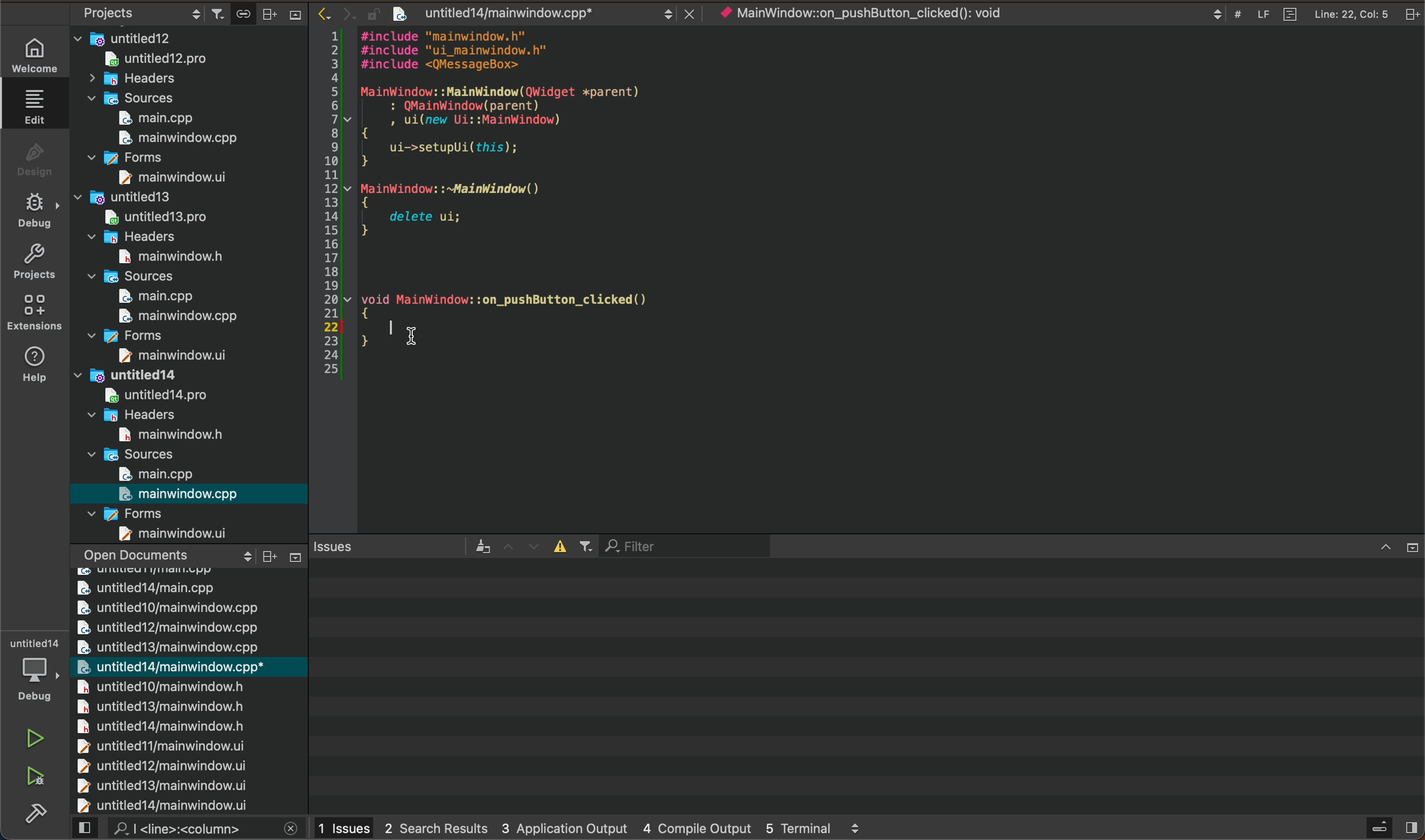 This screenshot has height=840, width=1425. Describe the element at coordinates (340, 14) in the screenshot. I see `arrows` at that location.